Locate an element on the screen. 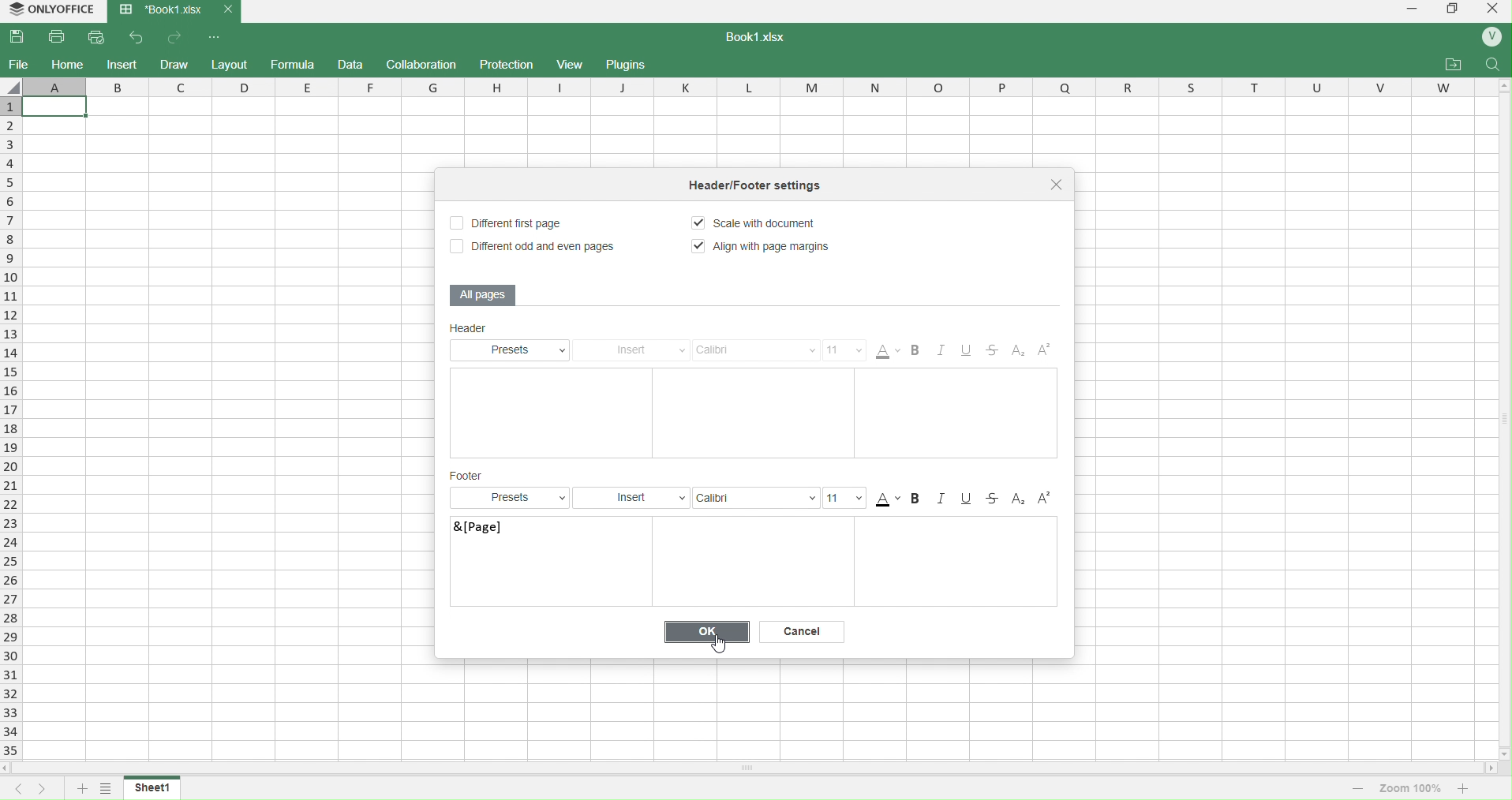 This screenshot has width=1512, height=800. column is located at coordinates (759, 86).